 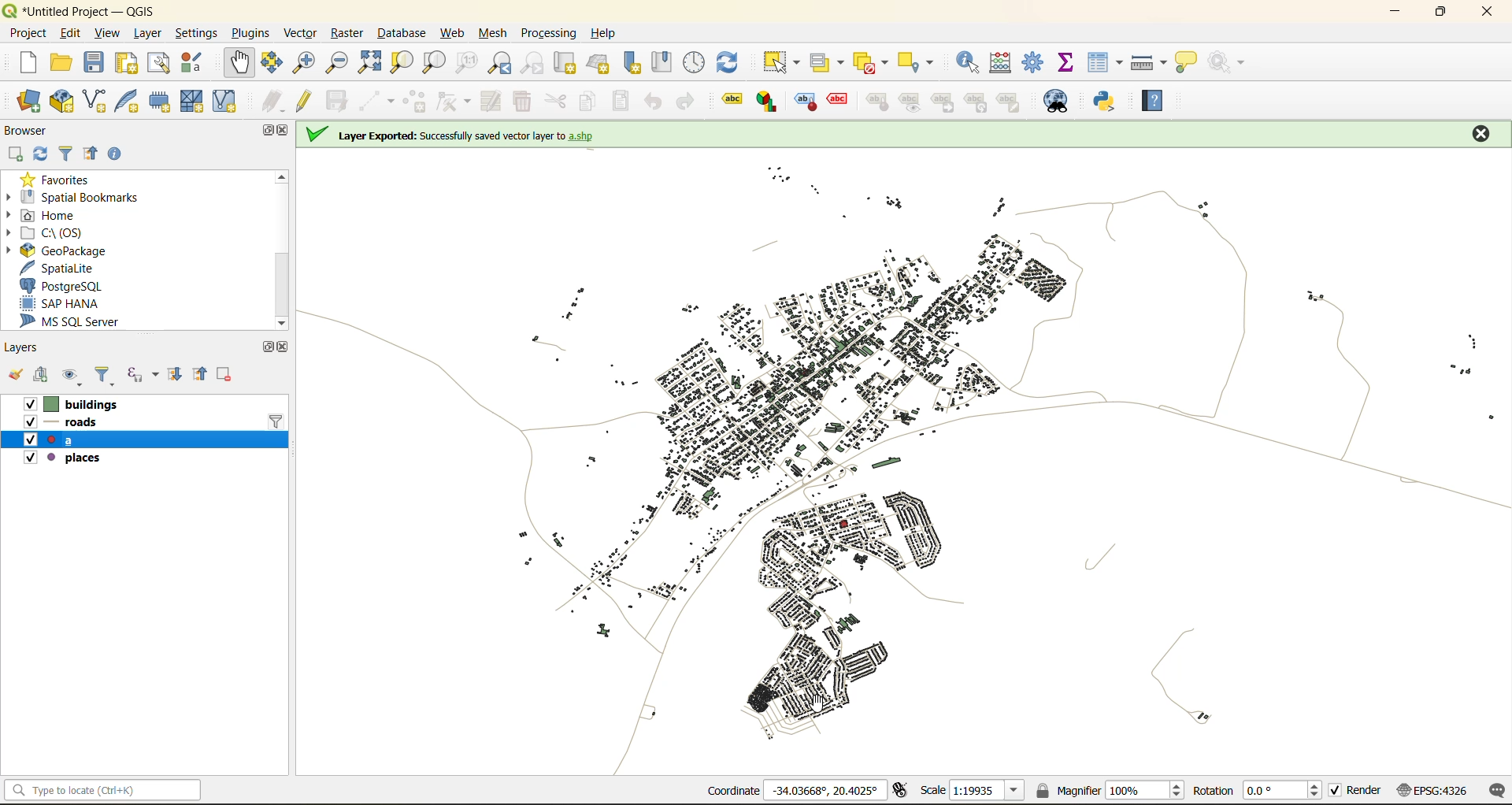 I want to click on collapse all, so click(x=91, y=154).